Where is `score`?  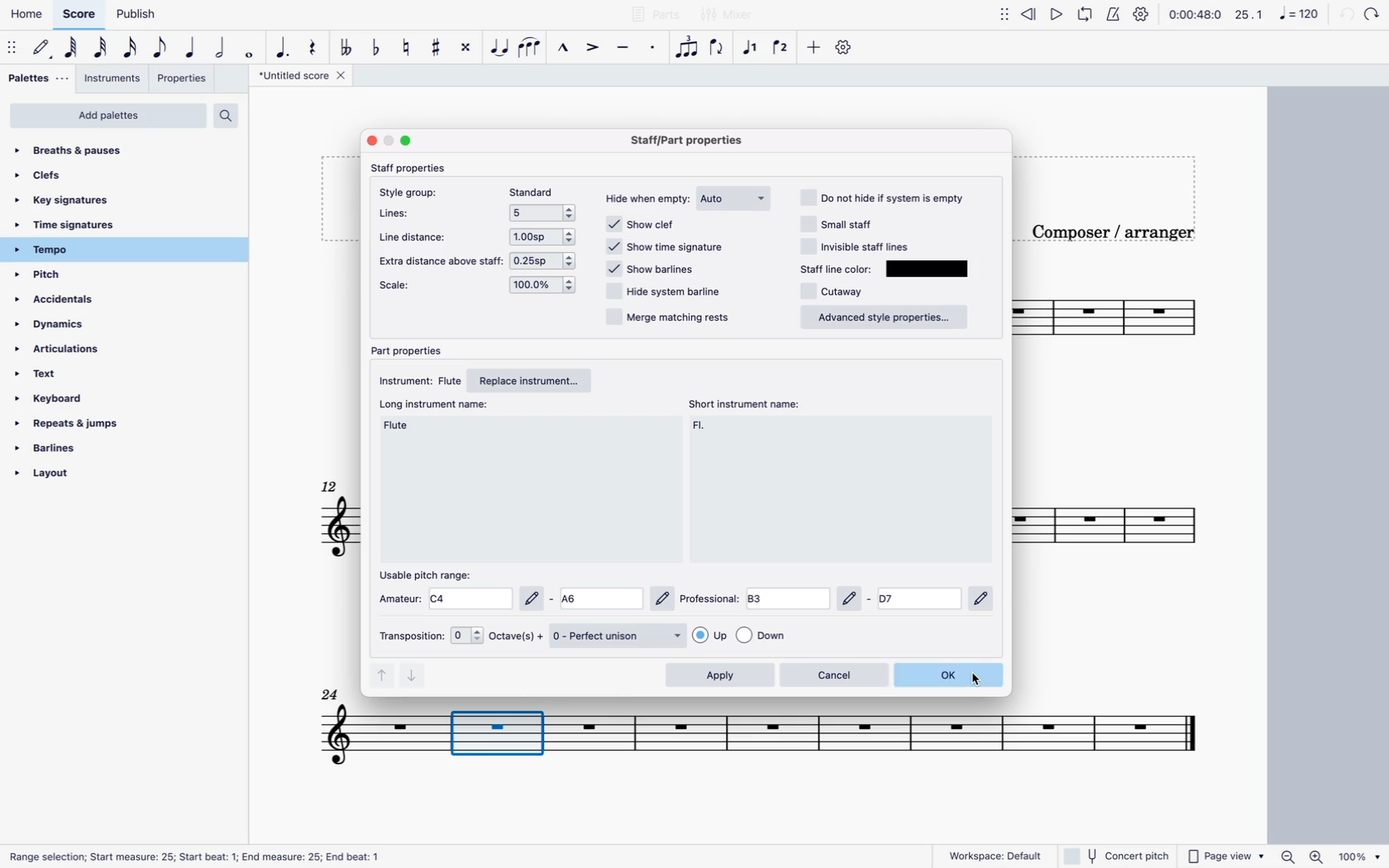 score is located at coordinates (79, 18).